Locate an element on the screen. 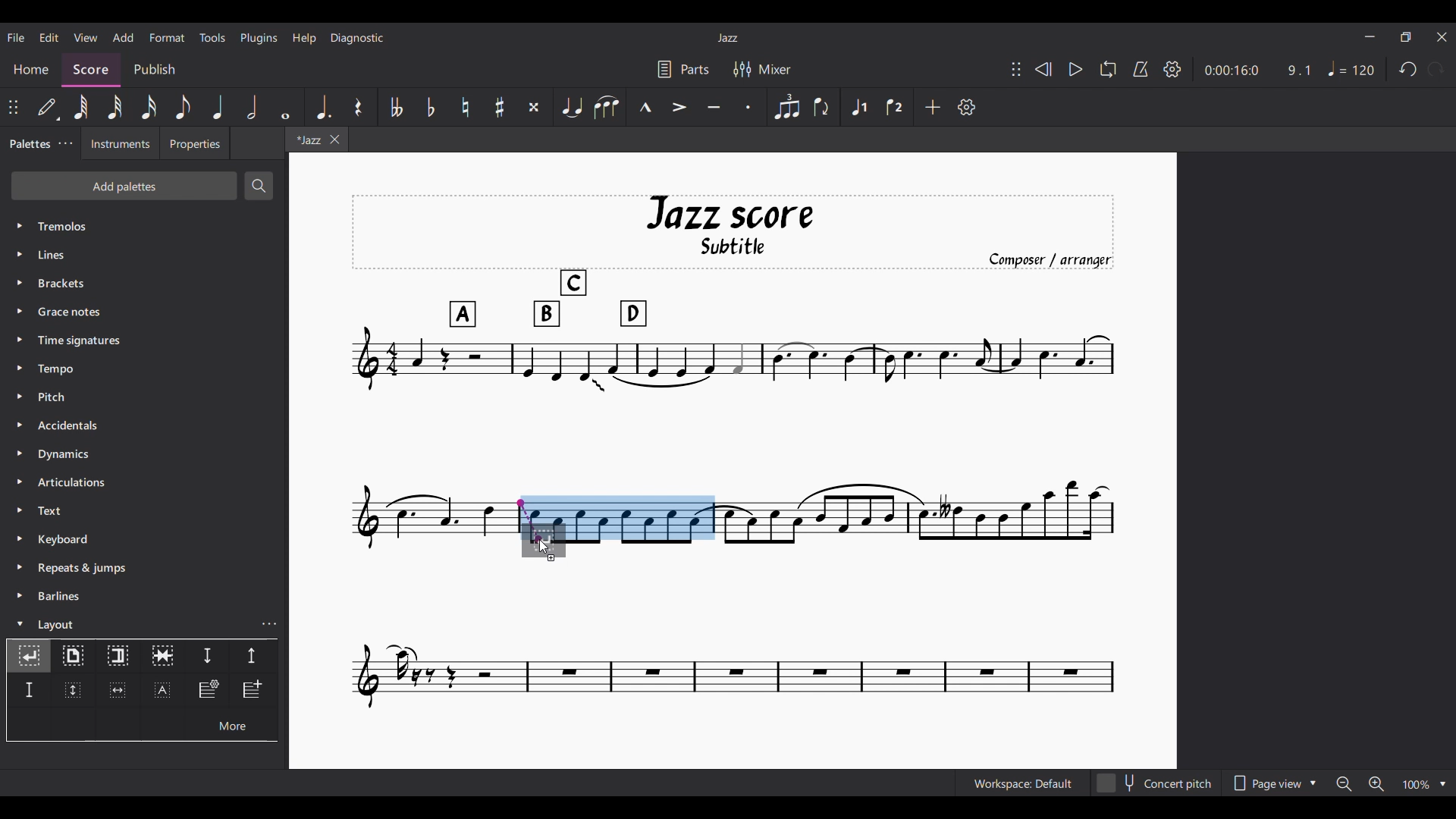  Palettes is located at coordinates (29, 145).